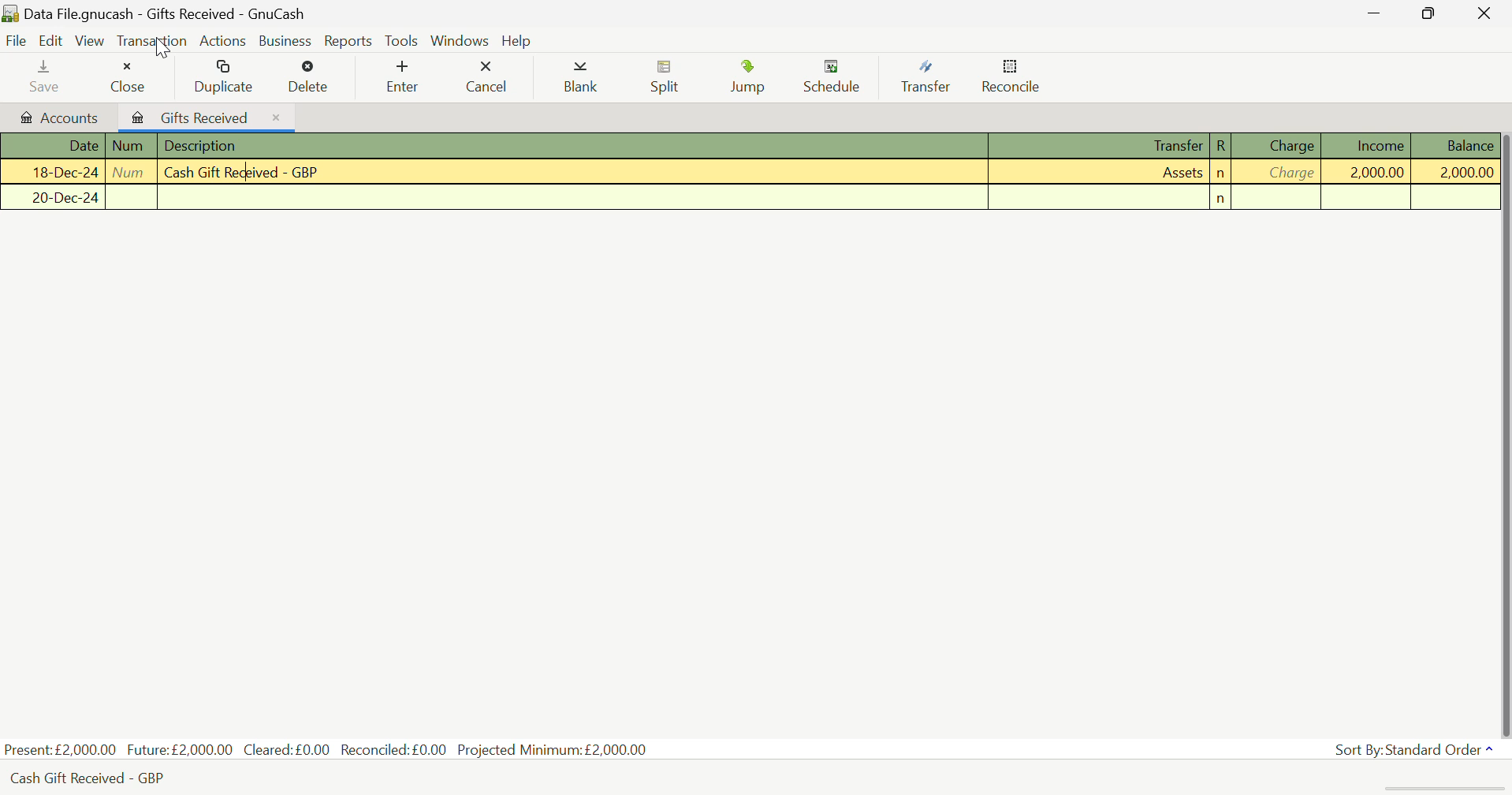 The width and height of the screenshot is (1512, 795). Describe the element at coordinates (160, 47) in the screenshot. I see `Cursor on Transaction` at that location.